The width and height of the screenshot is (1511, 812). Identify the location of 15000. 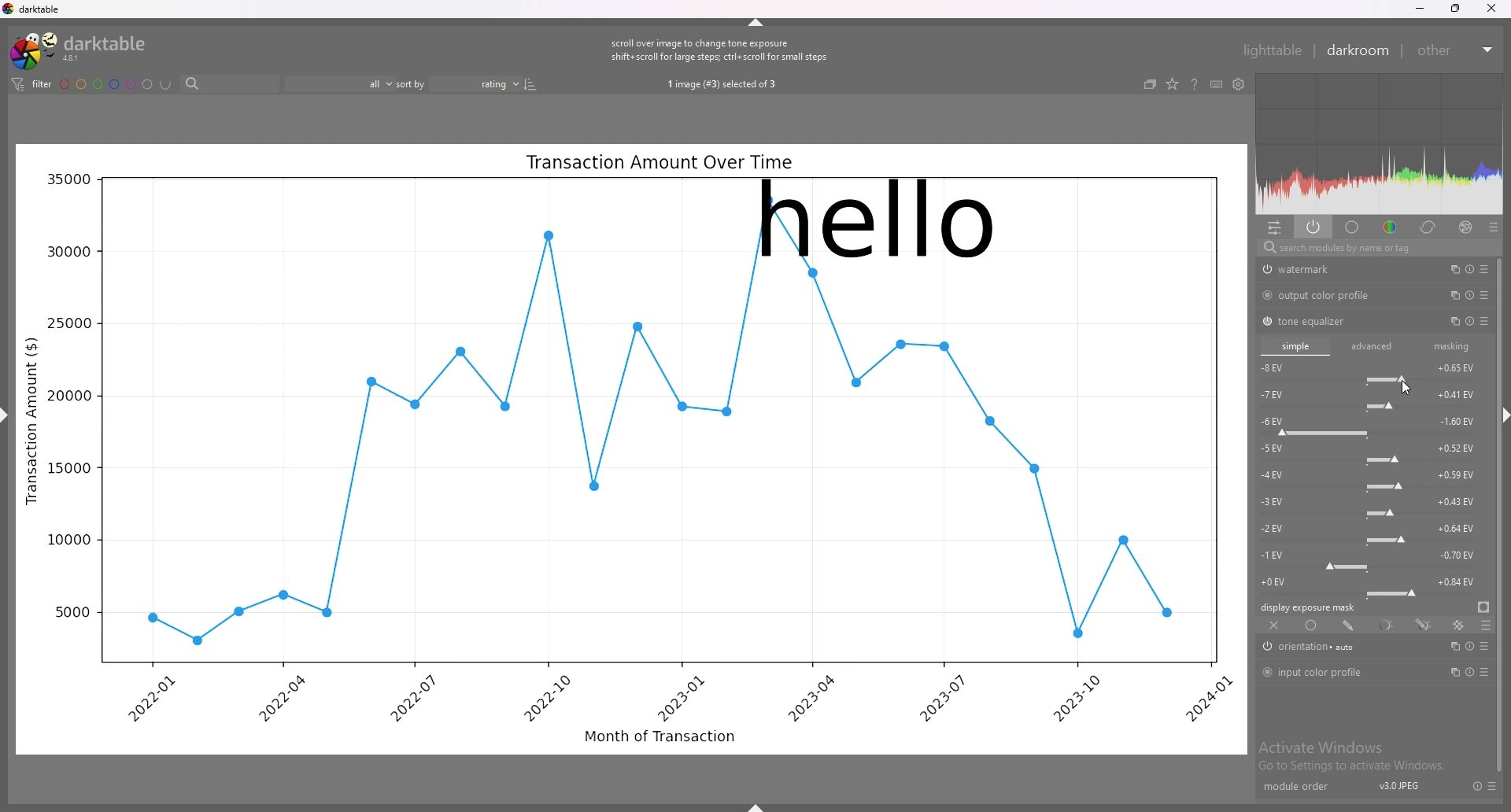
(68, 469).